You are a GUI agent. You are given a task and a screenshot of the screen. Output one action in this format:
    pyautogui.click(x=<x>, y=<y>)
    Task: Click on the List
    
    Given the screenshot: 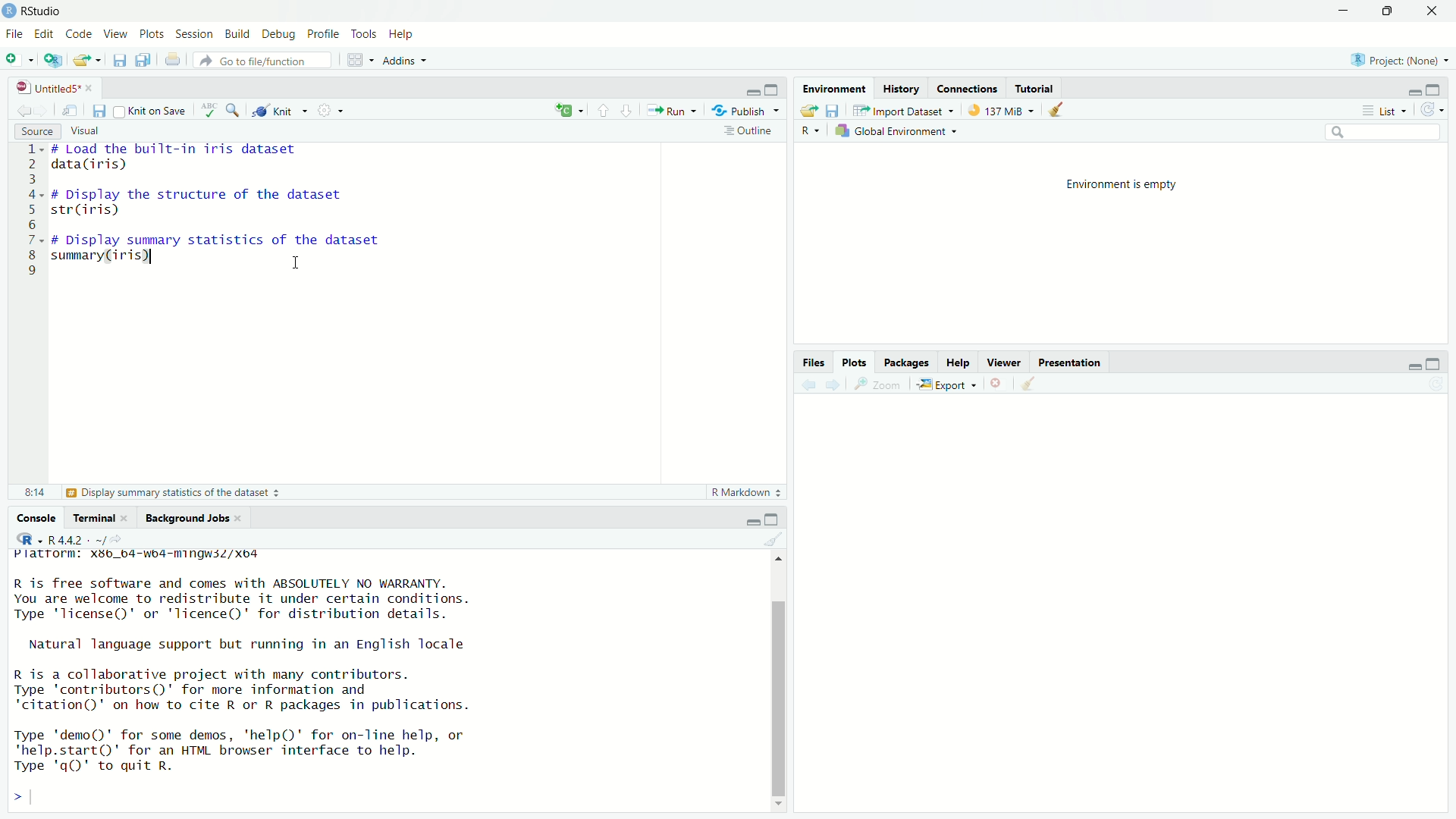 What is the action you would take?
    pyautogui.click(x=1382, y=109)
    